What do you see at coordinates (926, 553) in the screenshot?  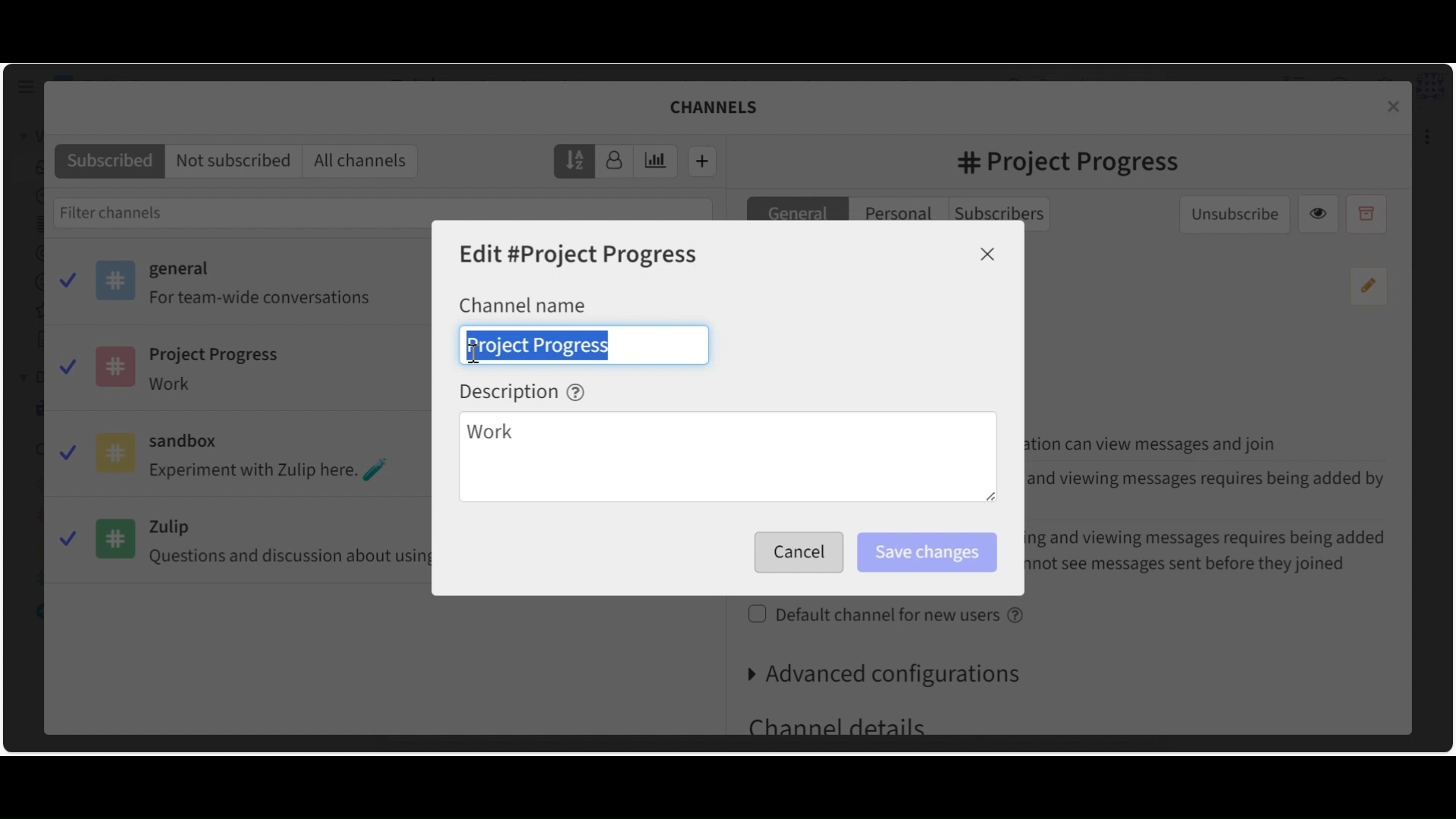 I see `Save Changes` at bounding box center [926, 553].